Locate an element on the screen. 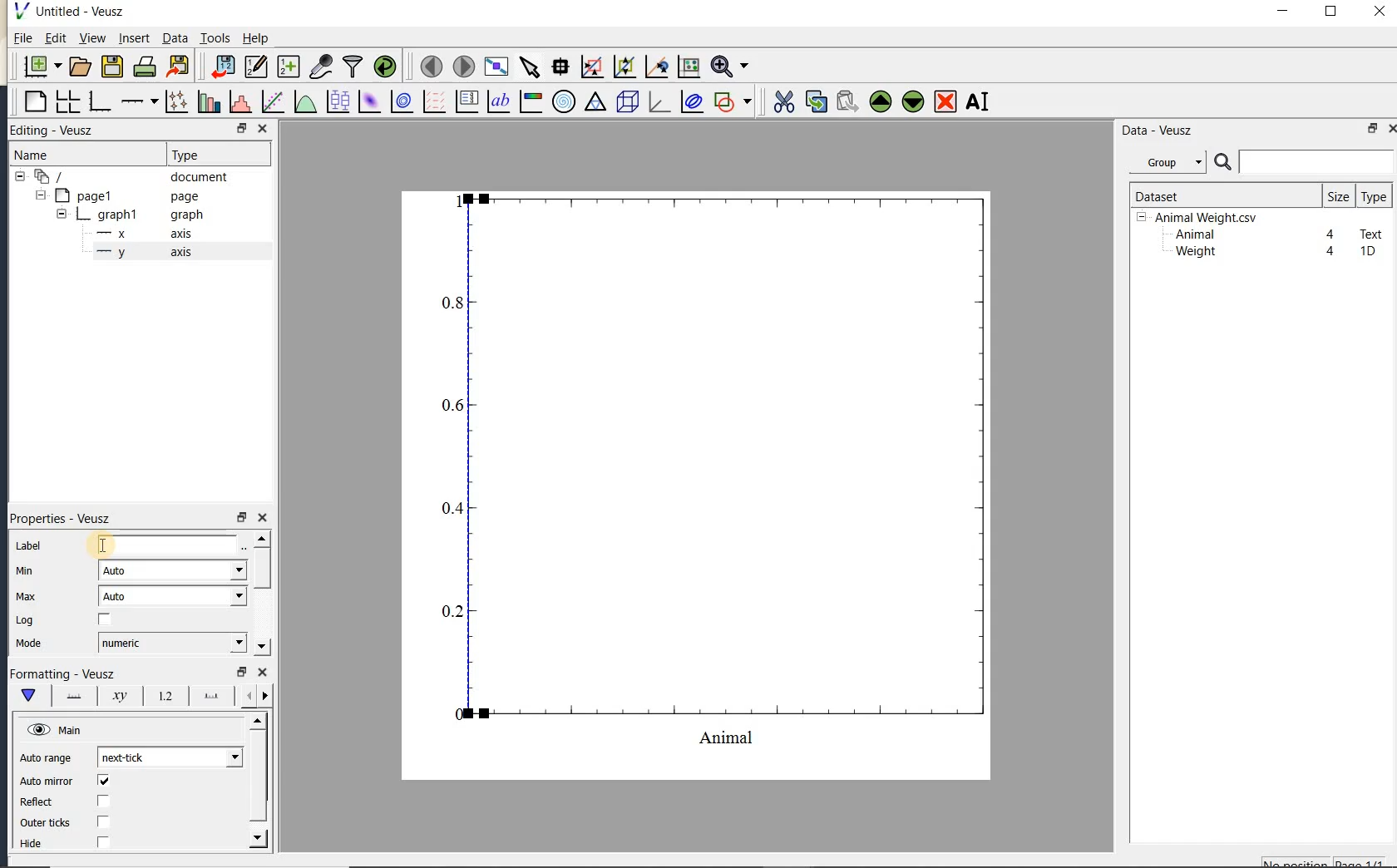 This screenshot has width=1397, height=868. plot points with lines and errorbars is located at coordinates (178, 101).